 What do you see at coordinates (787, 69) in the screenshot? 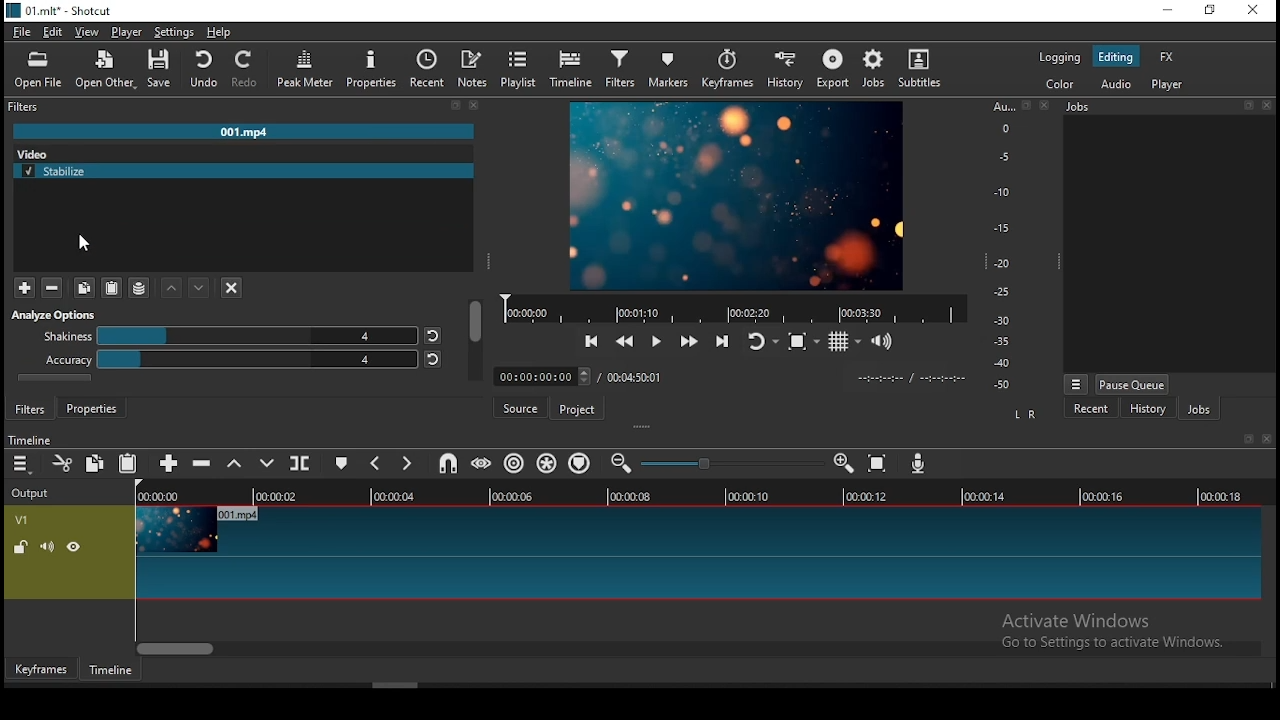
I see `history` at bounding box center [787, 69].